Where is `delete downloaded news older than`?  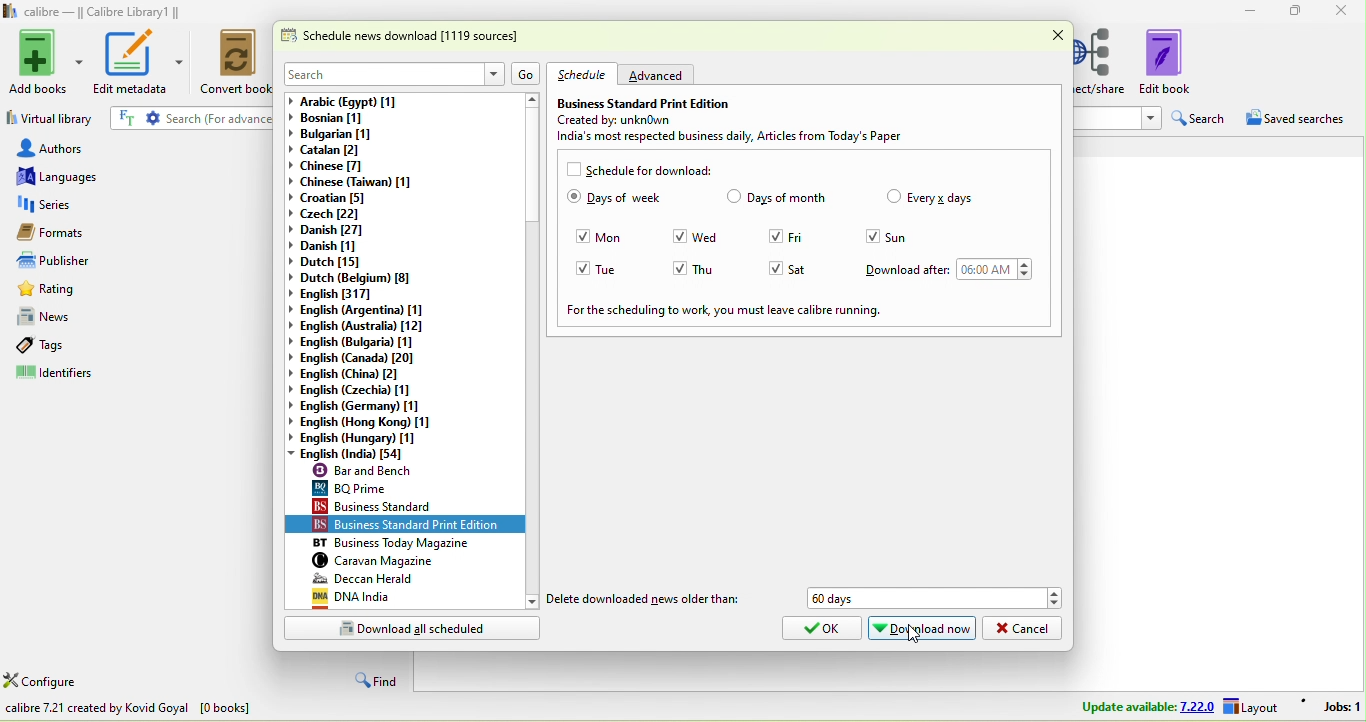 delete downloaded news older than is located at coordinates (645, 600).